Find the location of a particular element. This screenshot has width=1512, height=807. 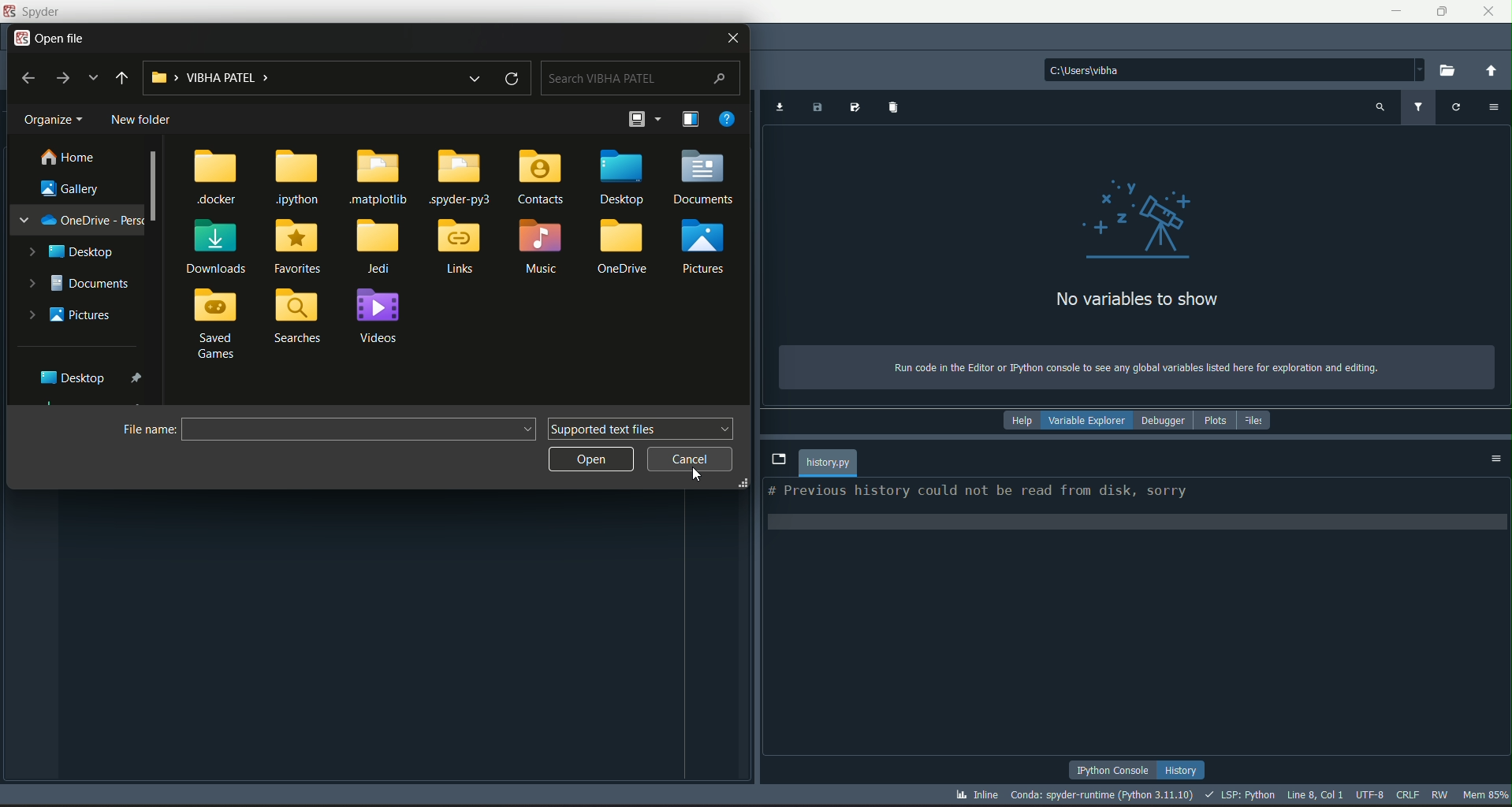

open file is located at coordinates (53, 39).